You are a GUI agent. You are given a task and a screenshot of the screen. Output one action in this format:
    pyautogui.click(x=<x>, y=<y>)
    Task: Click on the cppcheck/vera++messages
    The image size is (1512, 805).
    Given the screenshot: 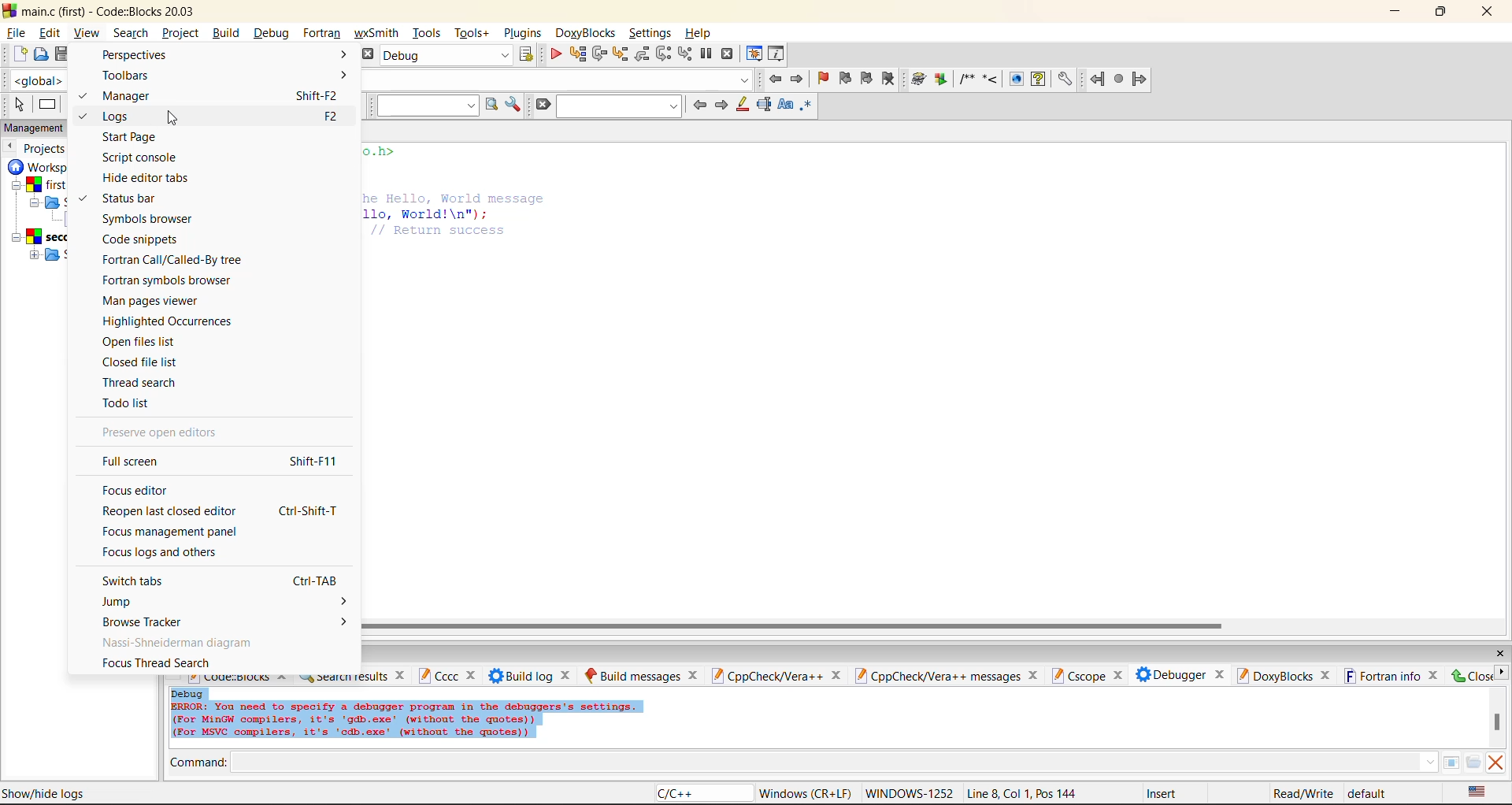 What is the action you would take?
    pyautogui.click(x=947, y=677)
    